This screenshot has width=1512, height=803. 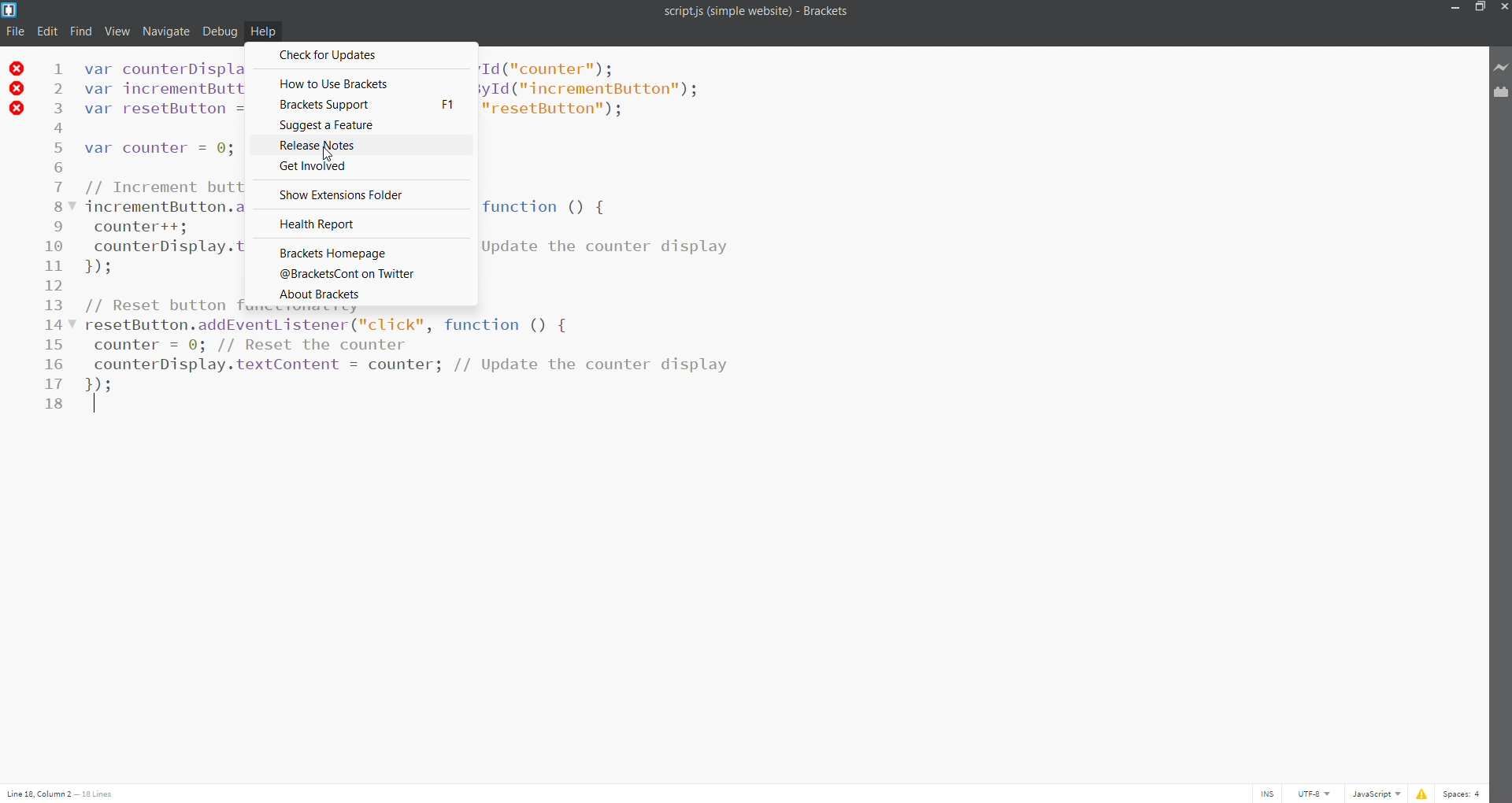 What do you see at coordinates (363, 105) in the screenshot?
I see `brackets support` at bounding box center [363, 105].